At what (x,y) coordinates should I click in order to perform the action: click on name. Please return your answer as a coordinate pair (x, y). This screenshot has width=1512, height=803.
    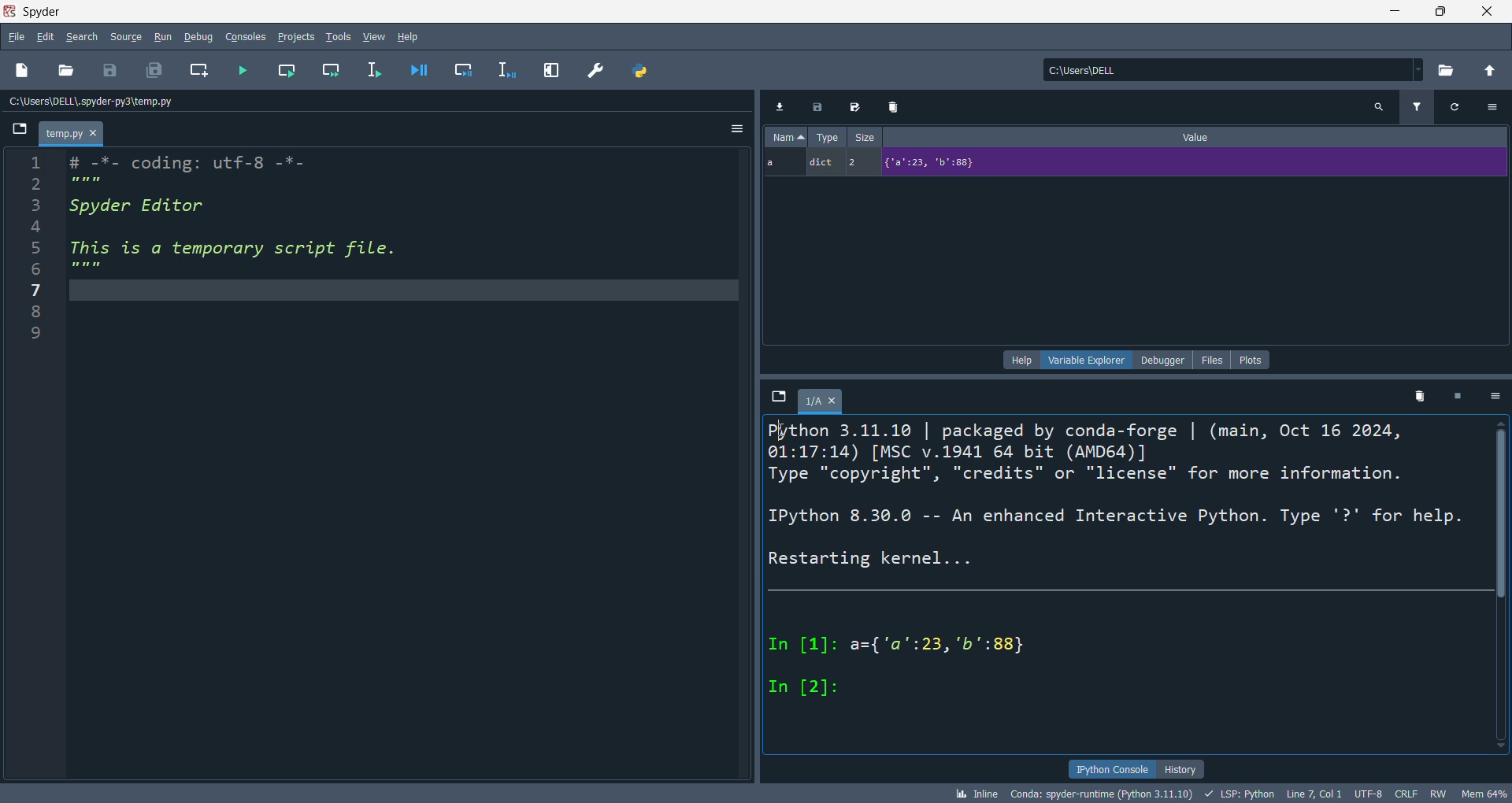
    Looking at the image, I should click on (787, 136).